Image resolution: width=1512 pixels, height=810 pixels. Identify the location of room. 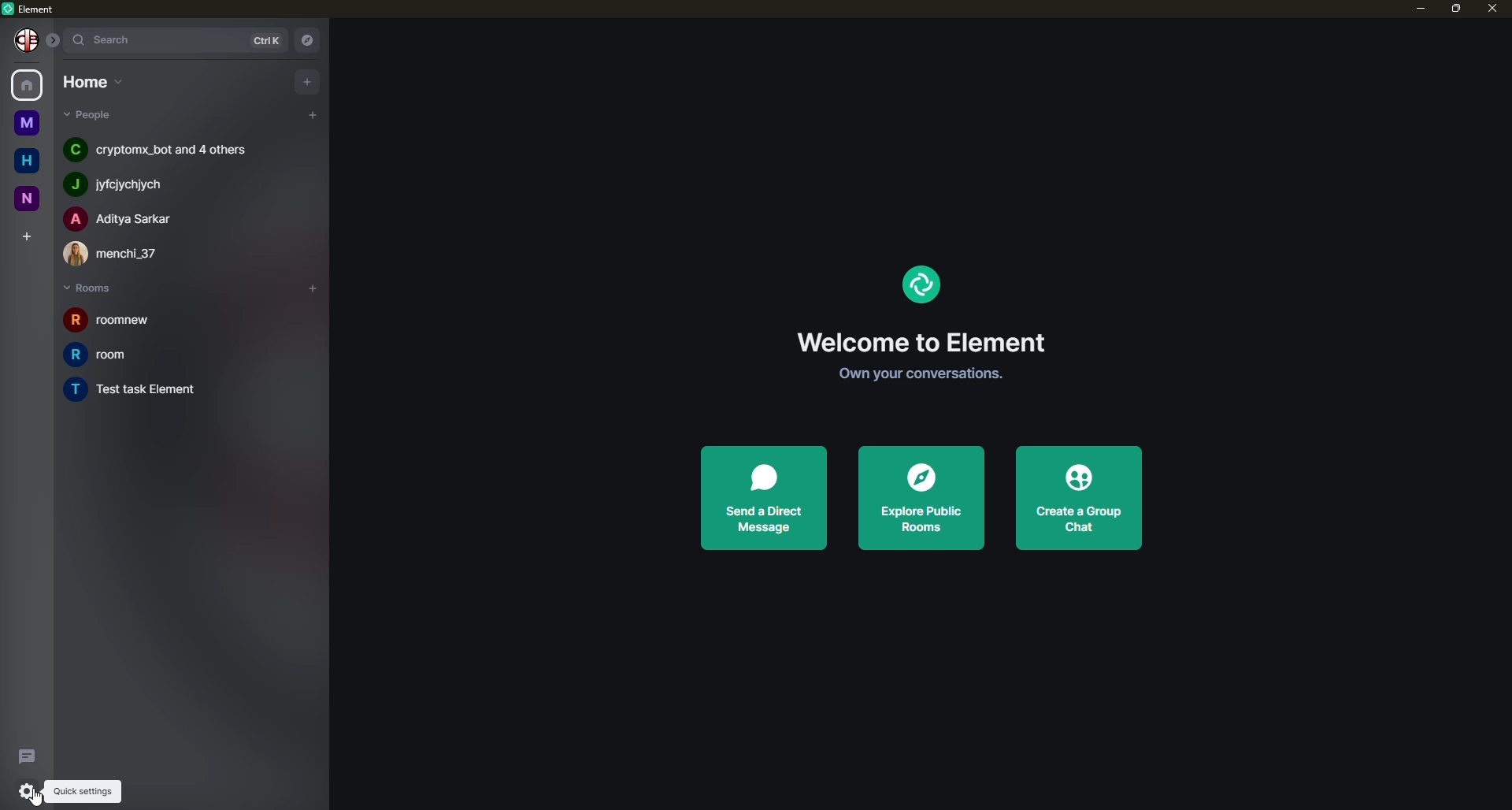
(104, 321).